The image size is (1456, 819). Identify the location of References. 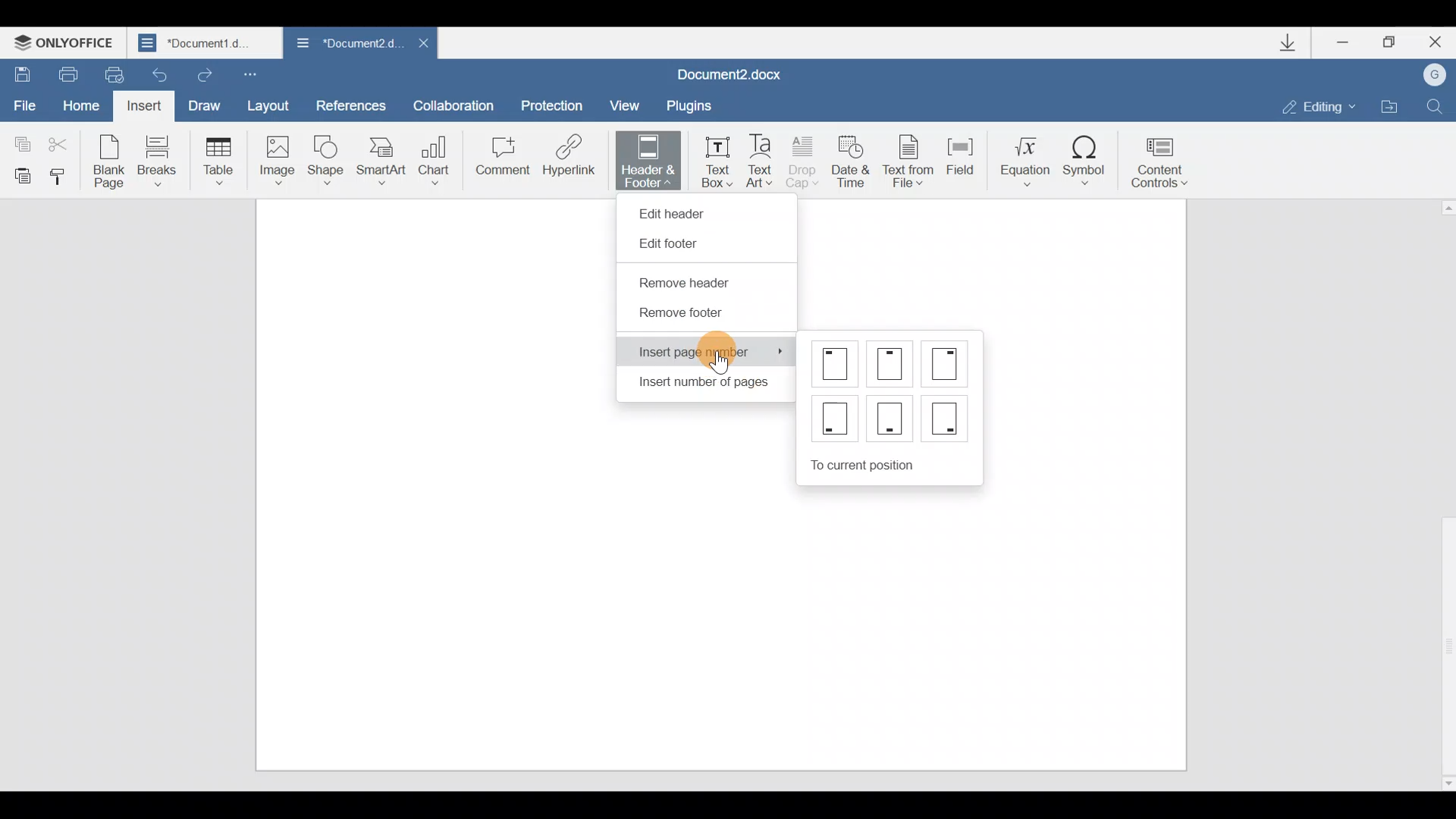
(352, 105).